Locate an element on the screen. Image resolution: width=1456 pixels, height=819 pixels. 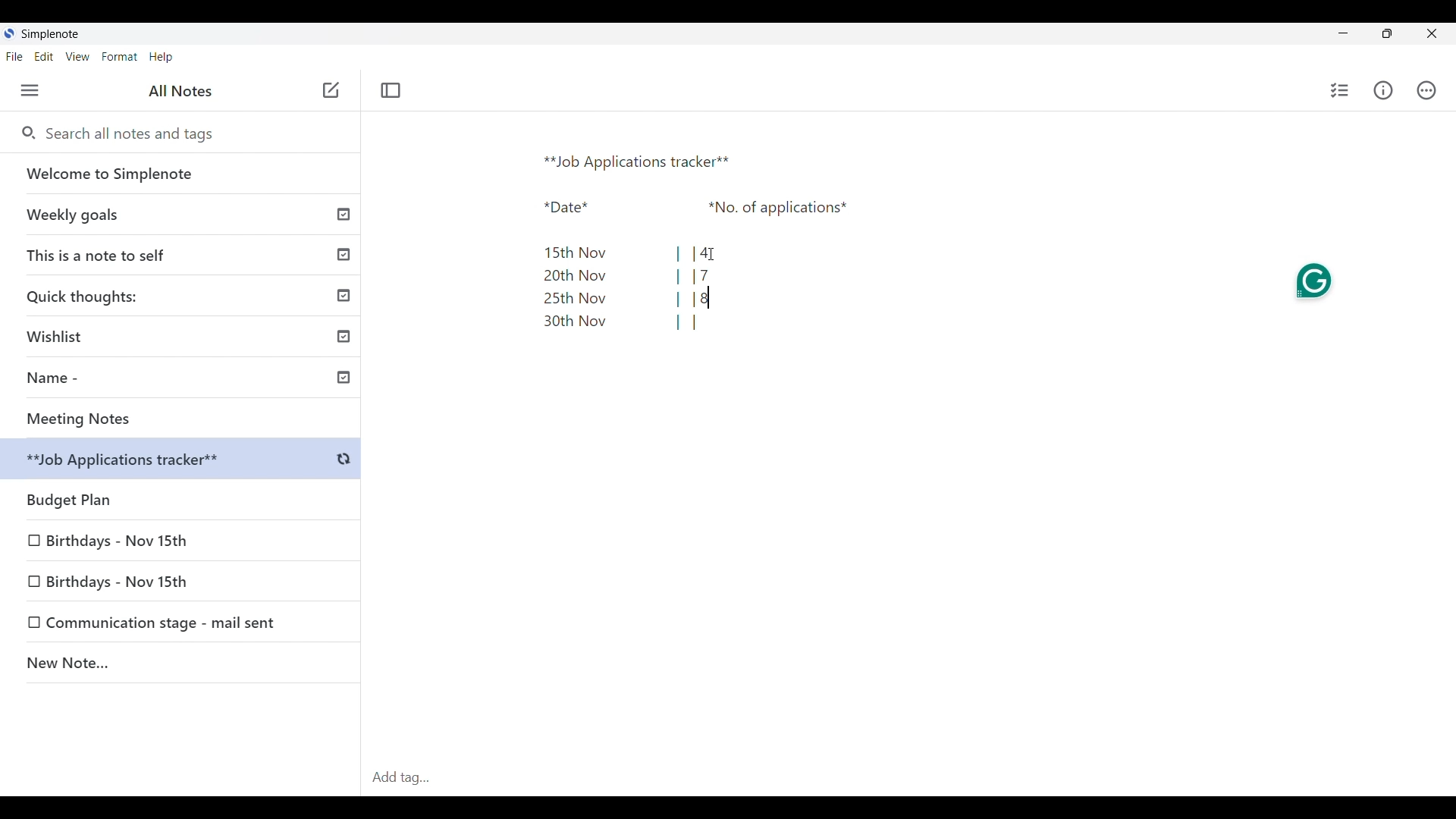
Cursor is located at coordinates (716, 254).